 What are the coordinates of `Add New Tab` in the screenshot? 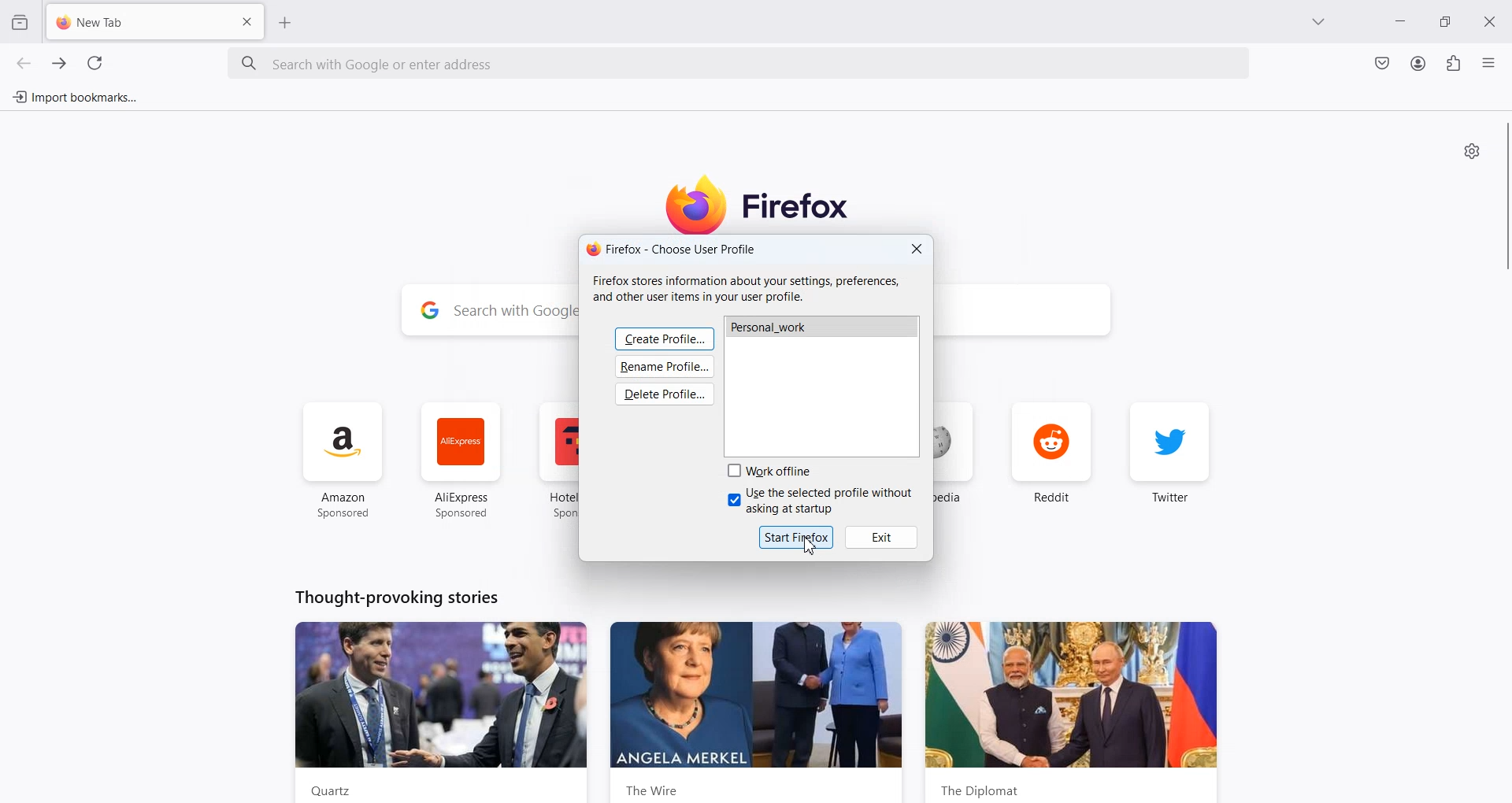 It's located at (286, 22).